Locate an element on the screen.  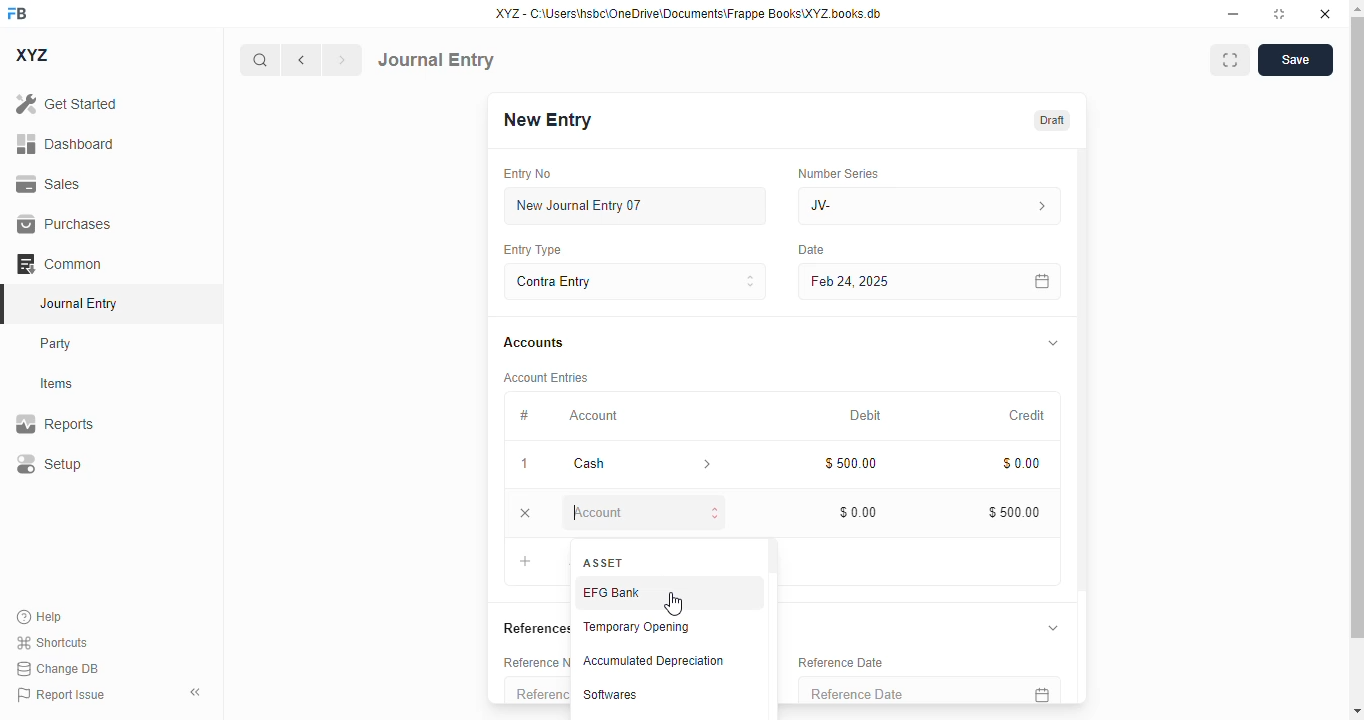
cursor is located at coordinates (673, 604).